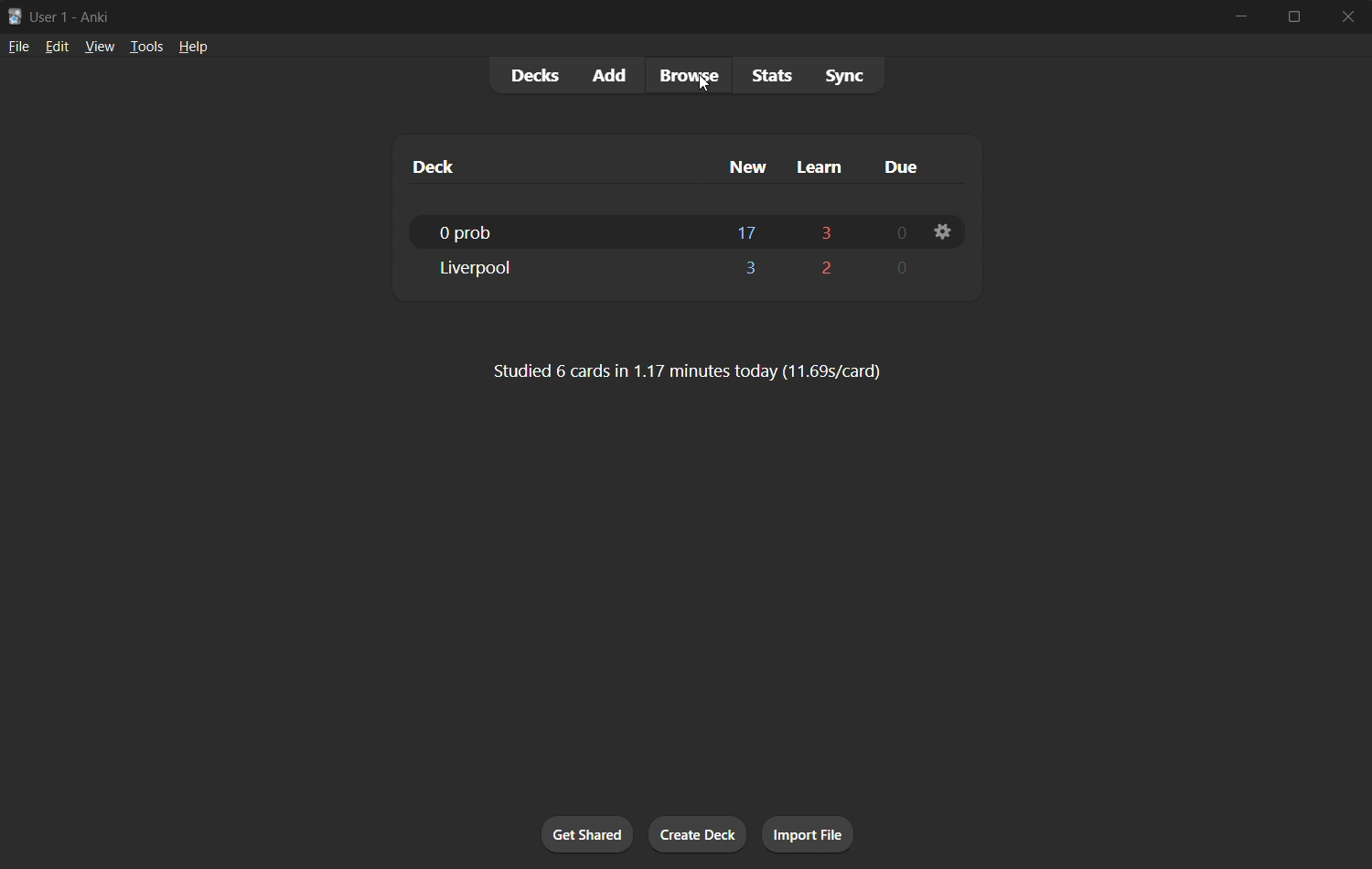  What do you see at coordinates (590, 837) in the screenshot?
I see `get shared` at bounding box center [590, 837].